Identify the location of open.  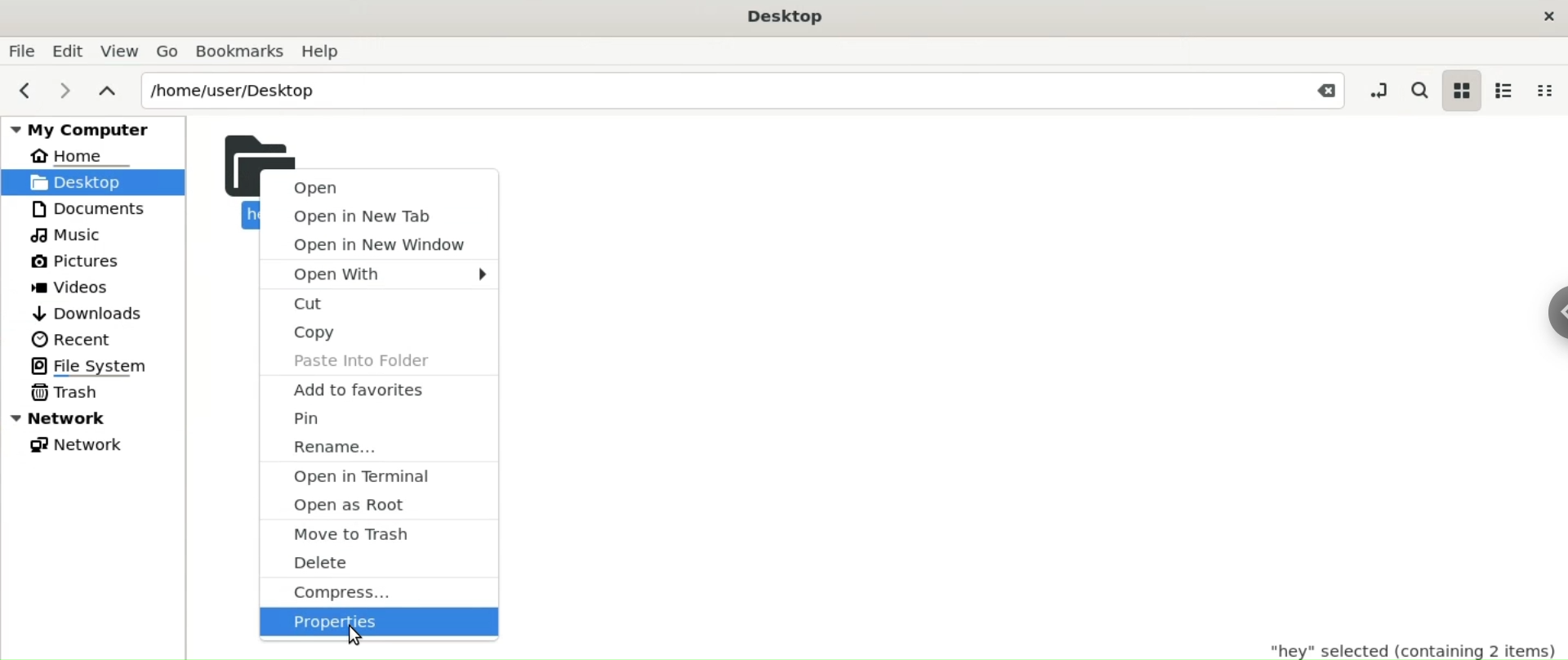
(382, 186).